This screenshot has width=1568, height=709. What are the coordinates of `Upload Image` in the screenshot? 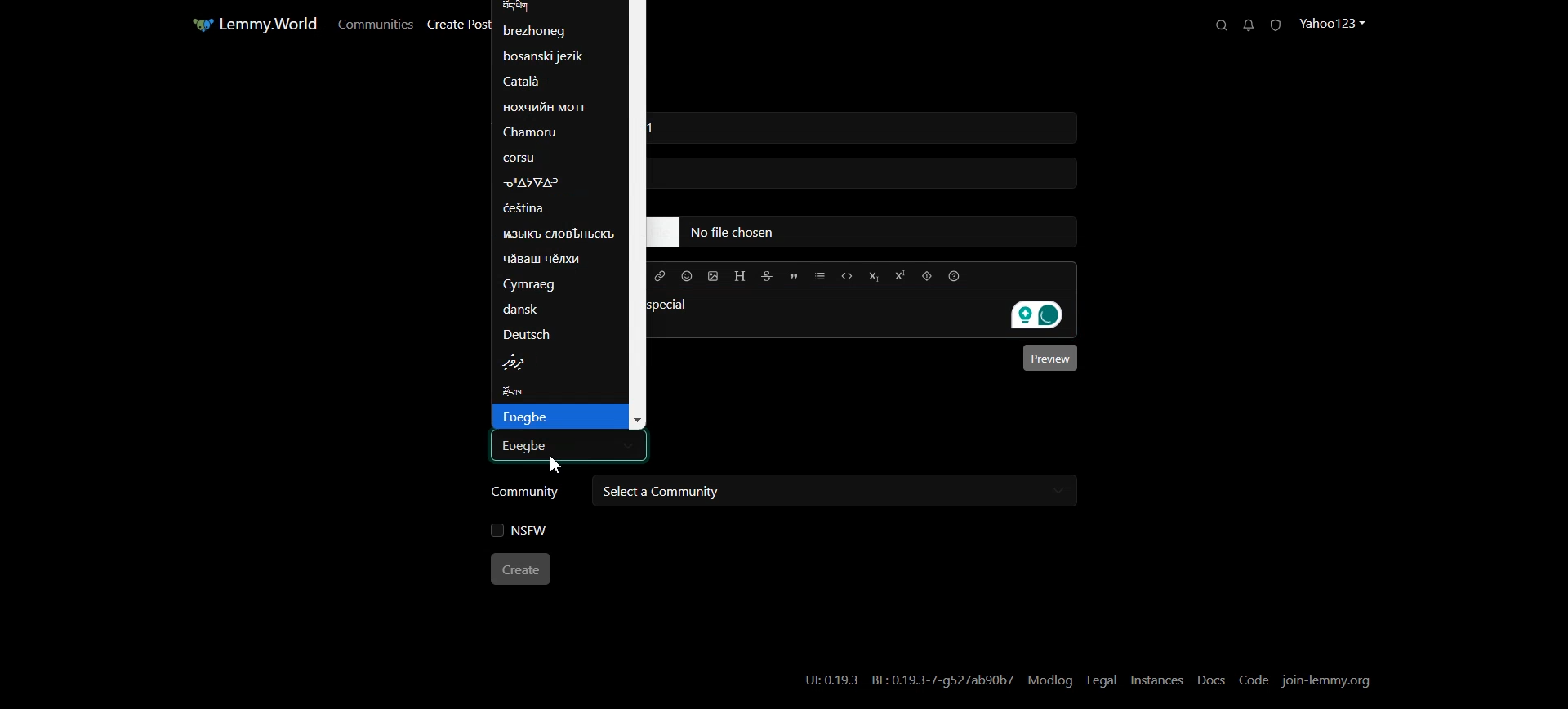 It's located at (714, 276).